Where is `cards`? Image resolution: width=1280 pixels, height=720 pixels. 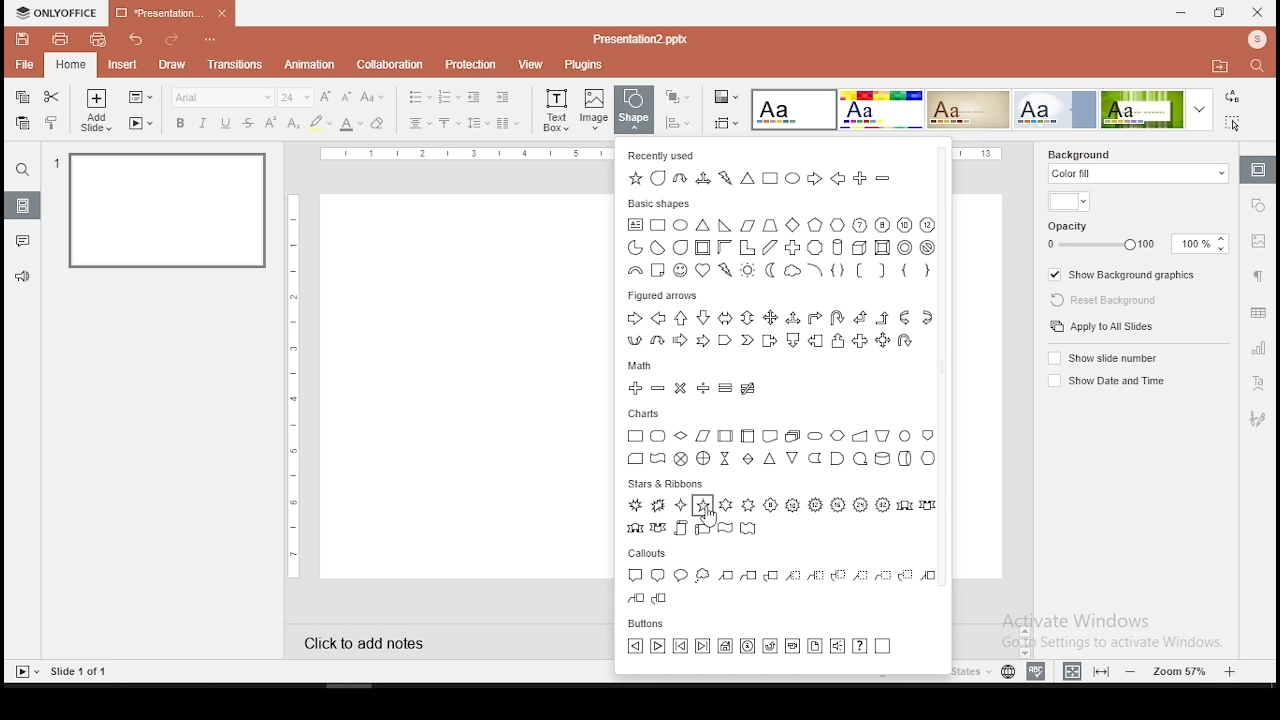 cards is located at coordinates (646, 411).